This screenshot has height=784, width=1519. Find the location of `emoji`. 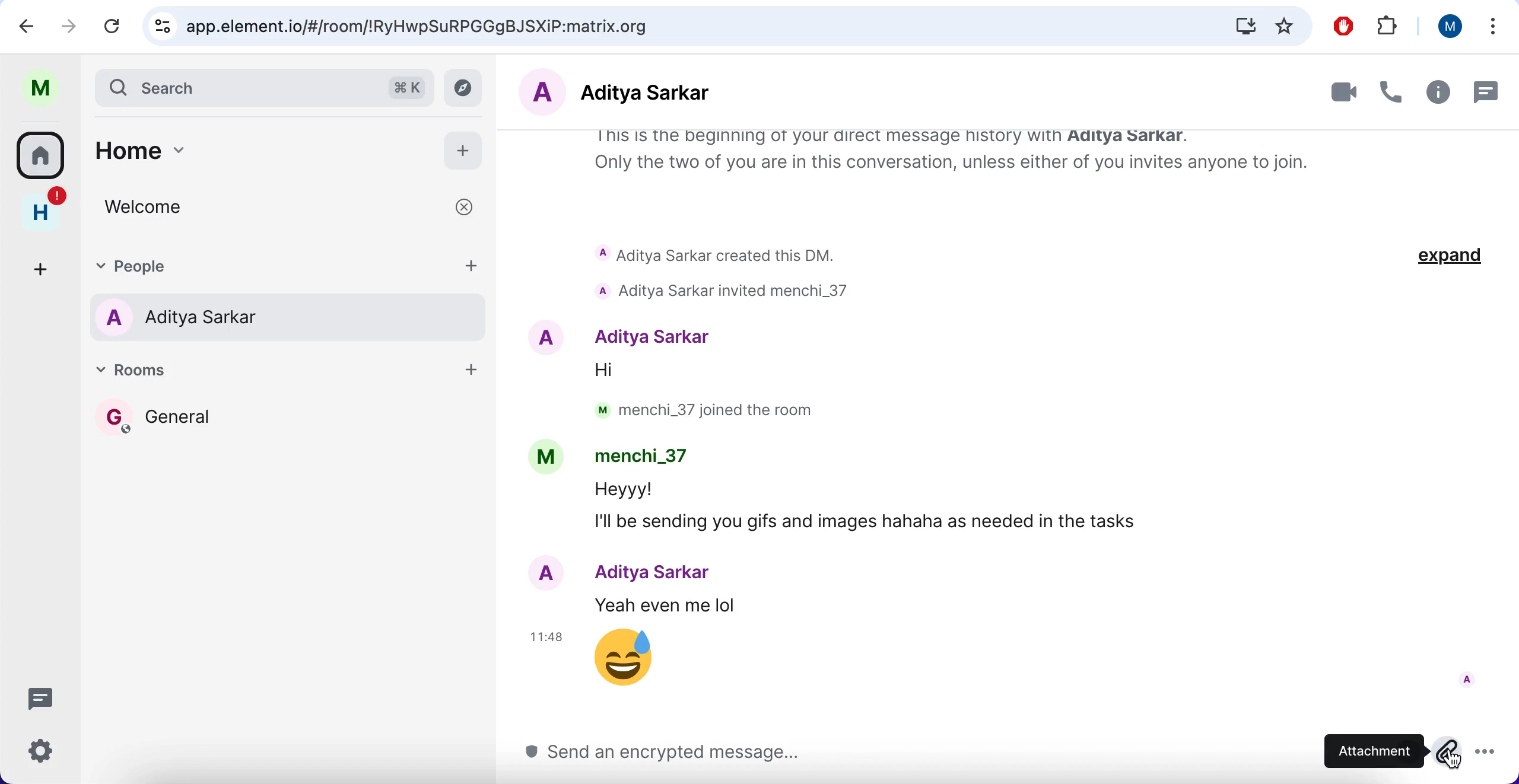

emoji is located at coordinates (638, 656).